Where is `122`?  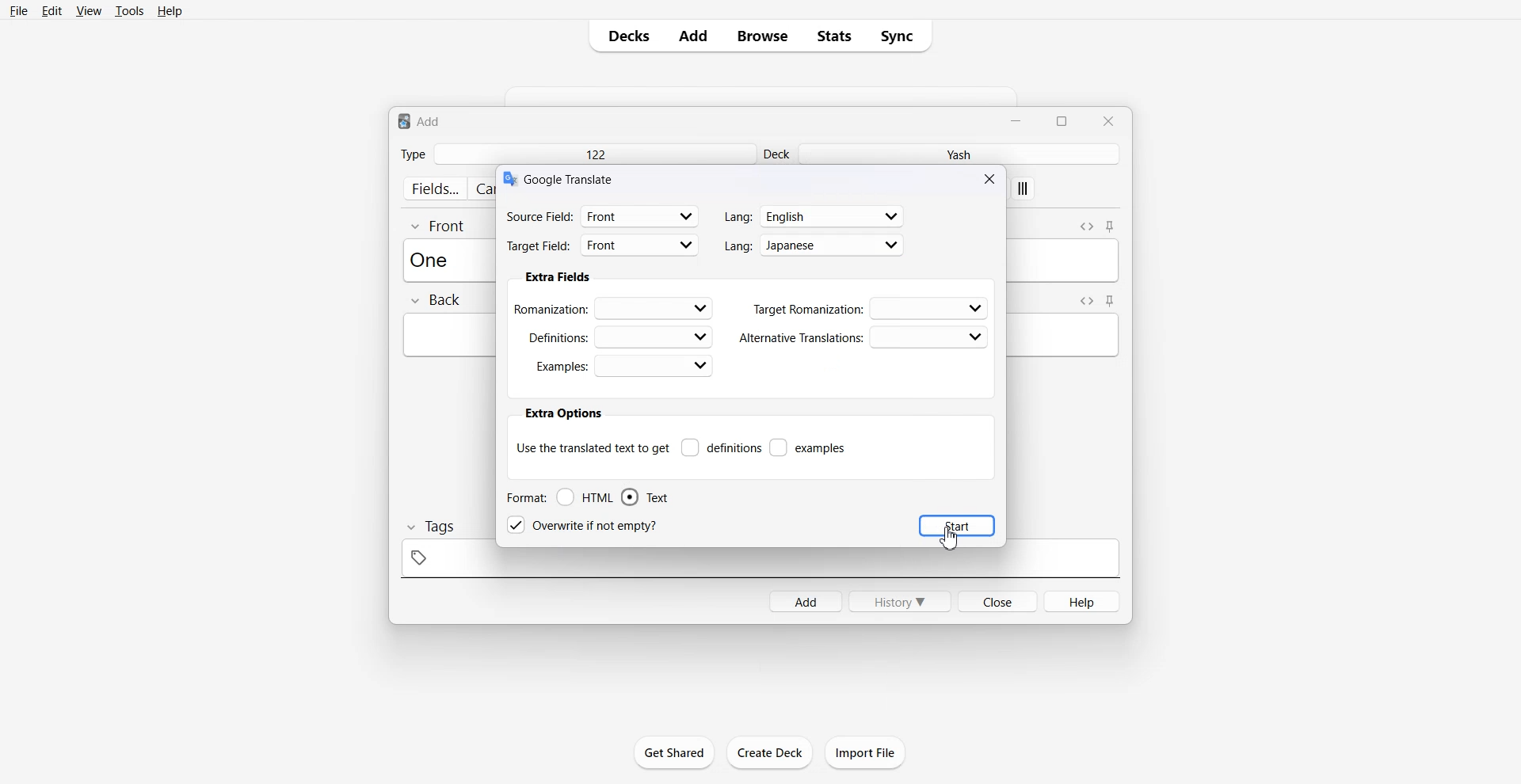 122 is located at coordinates (594, 154).